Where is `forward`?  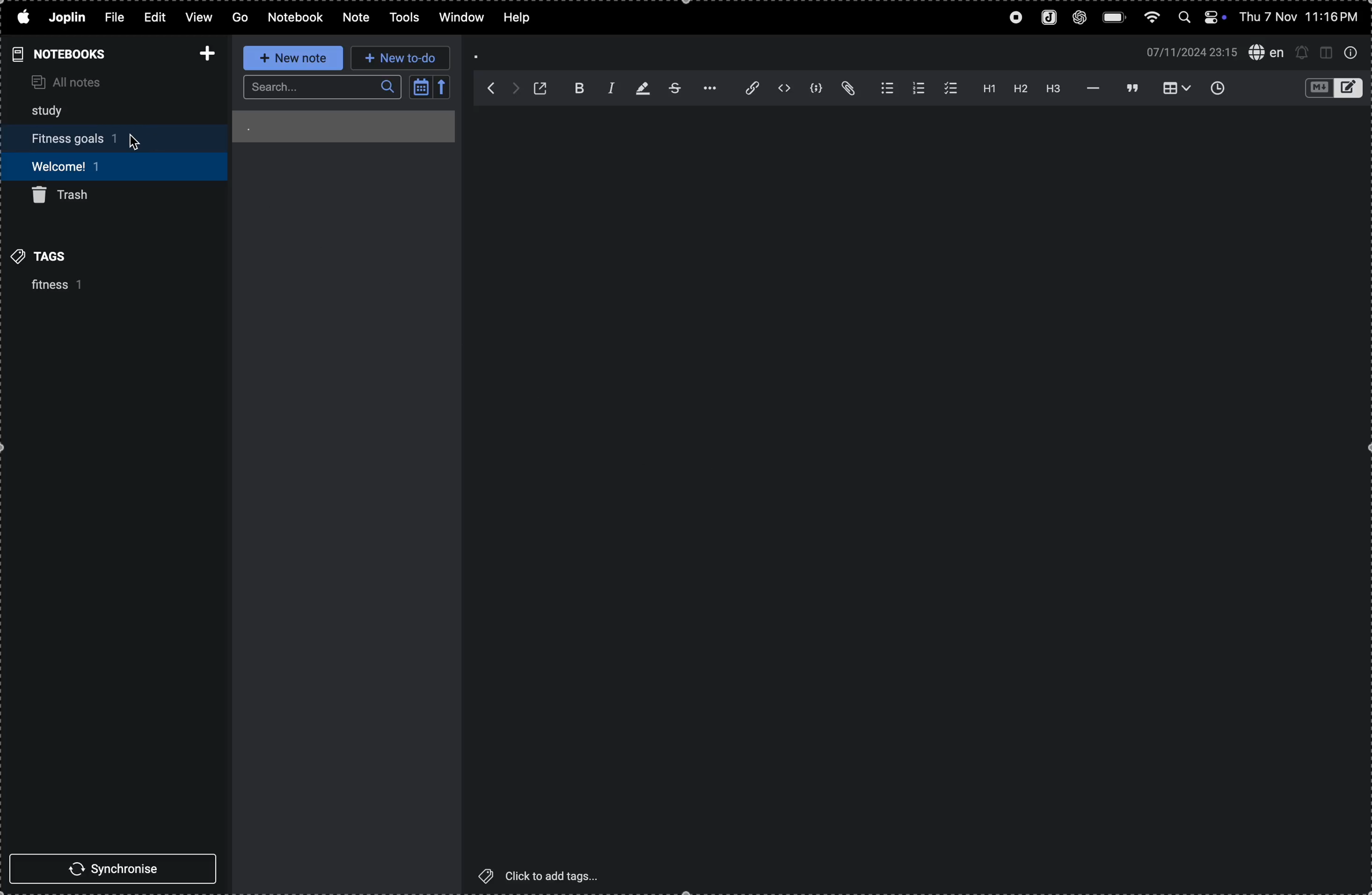
forward is located at coordinates (515, 86).